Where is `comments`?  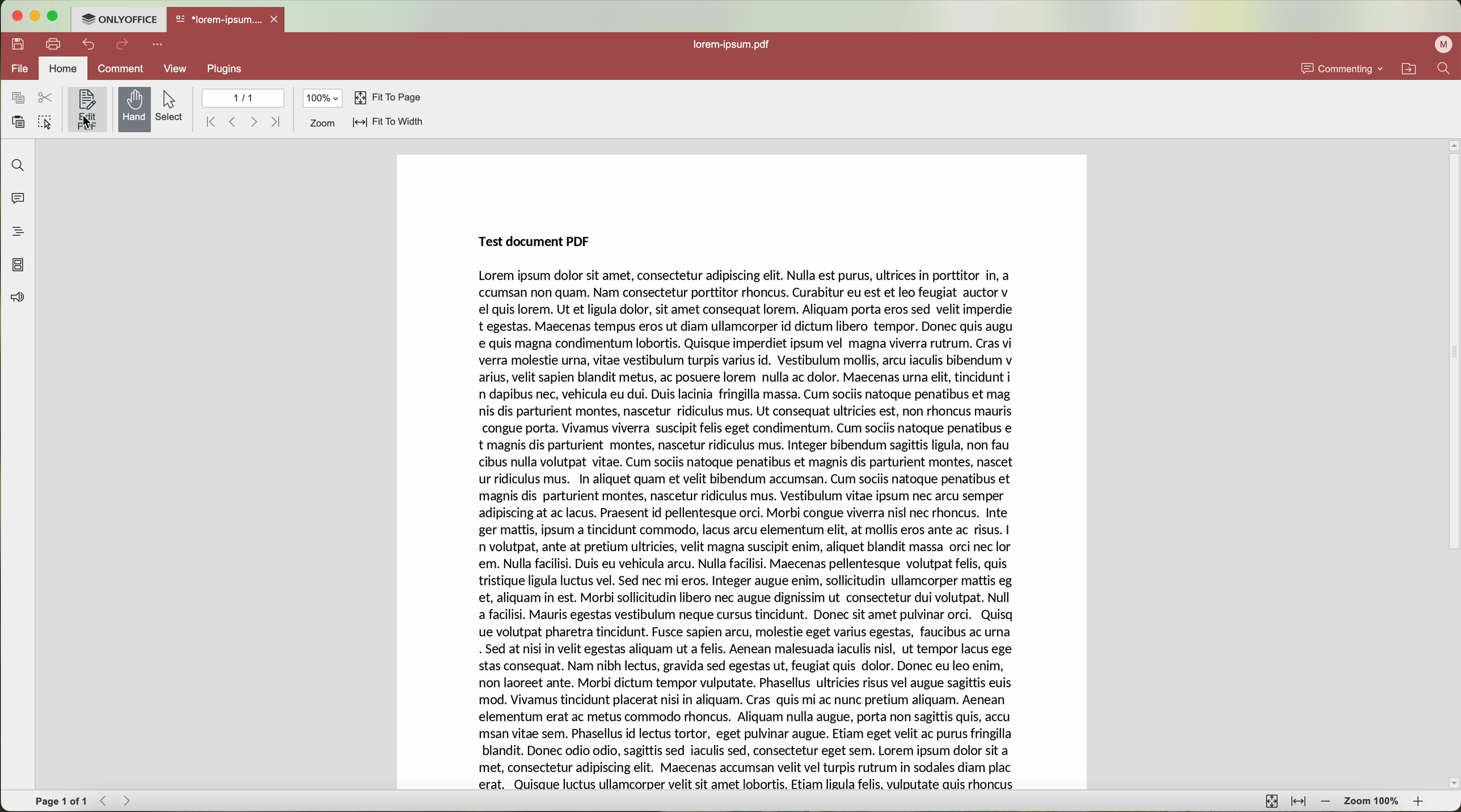 comments is located at coordinates (17, 201).